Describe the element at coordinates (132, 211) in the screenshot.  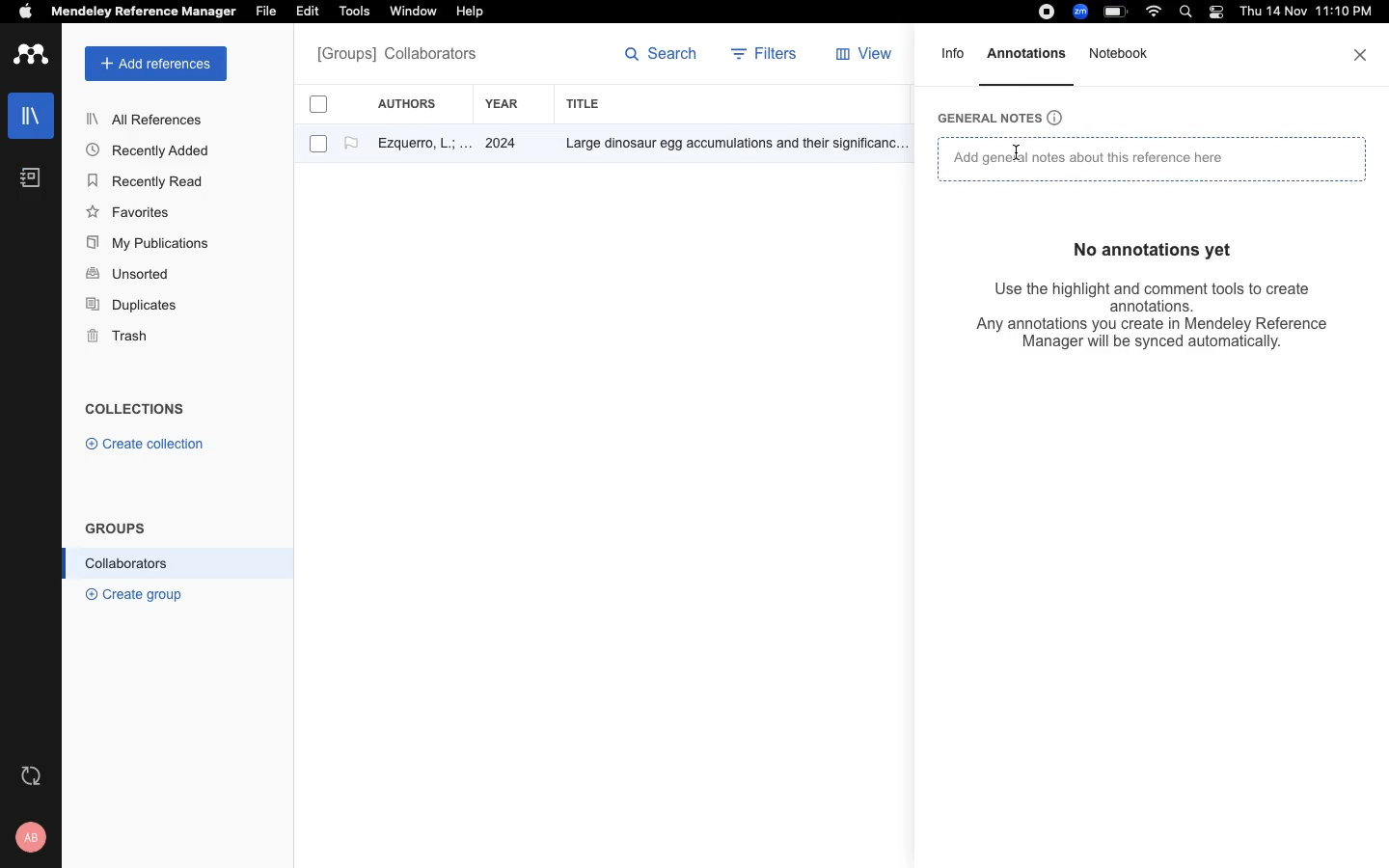
I see `Favorites` at that location.